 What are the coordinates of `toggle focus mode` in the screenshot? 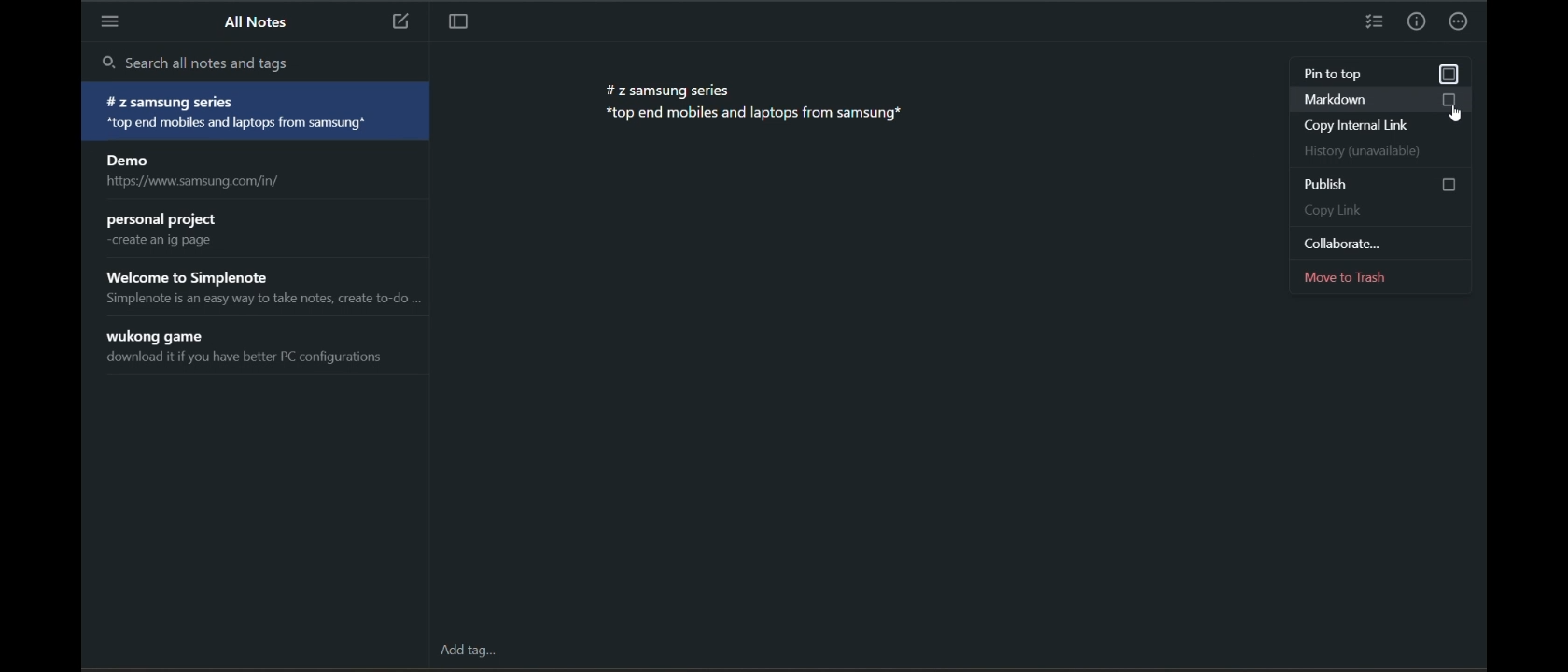 It's located at (457, 24).